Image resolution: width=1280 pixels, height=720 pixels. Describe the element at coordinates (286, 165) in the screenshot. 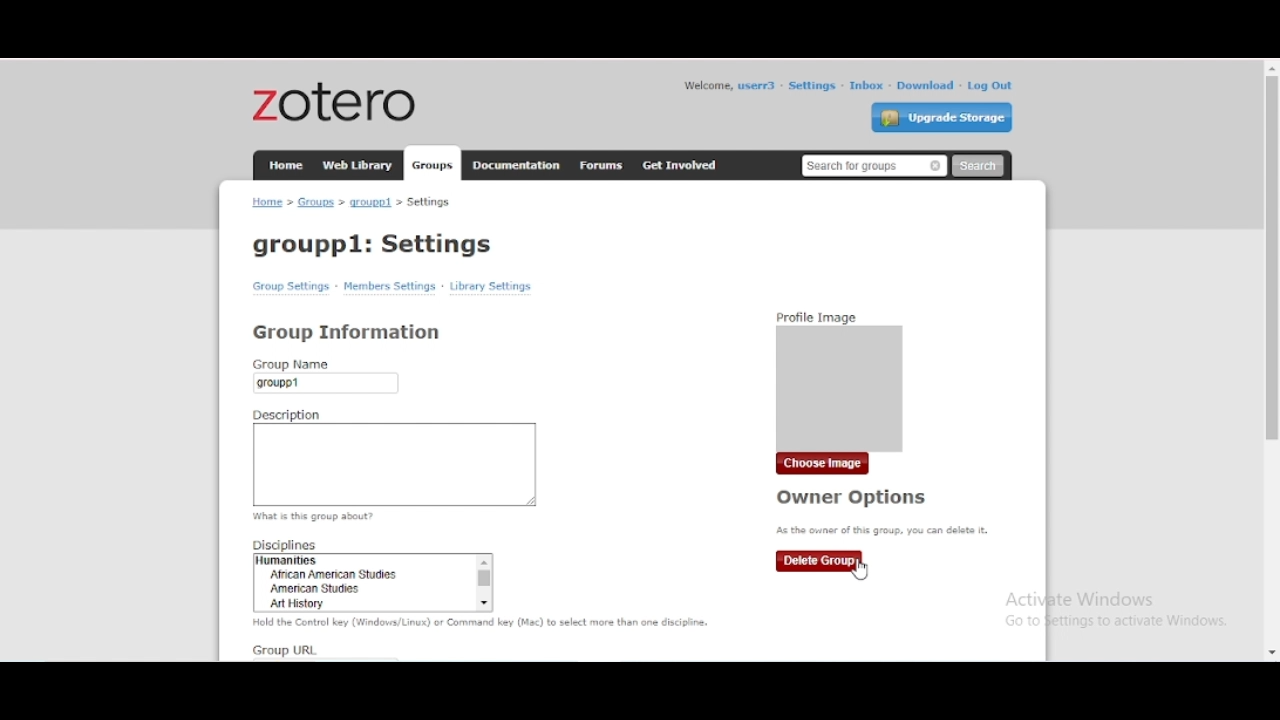

I see `home` at that location.